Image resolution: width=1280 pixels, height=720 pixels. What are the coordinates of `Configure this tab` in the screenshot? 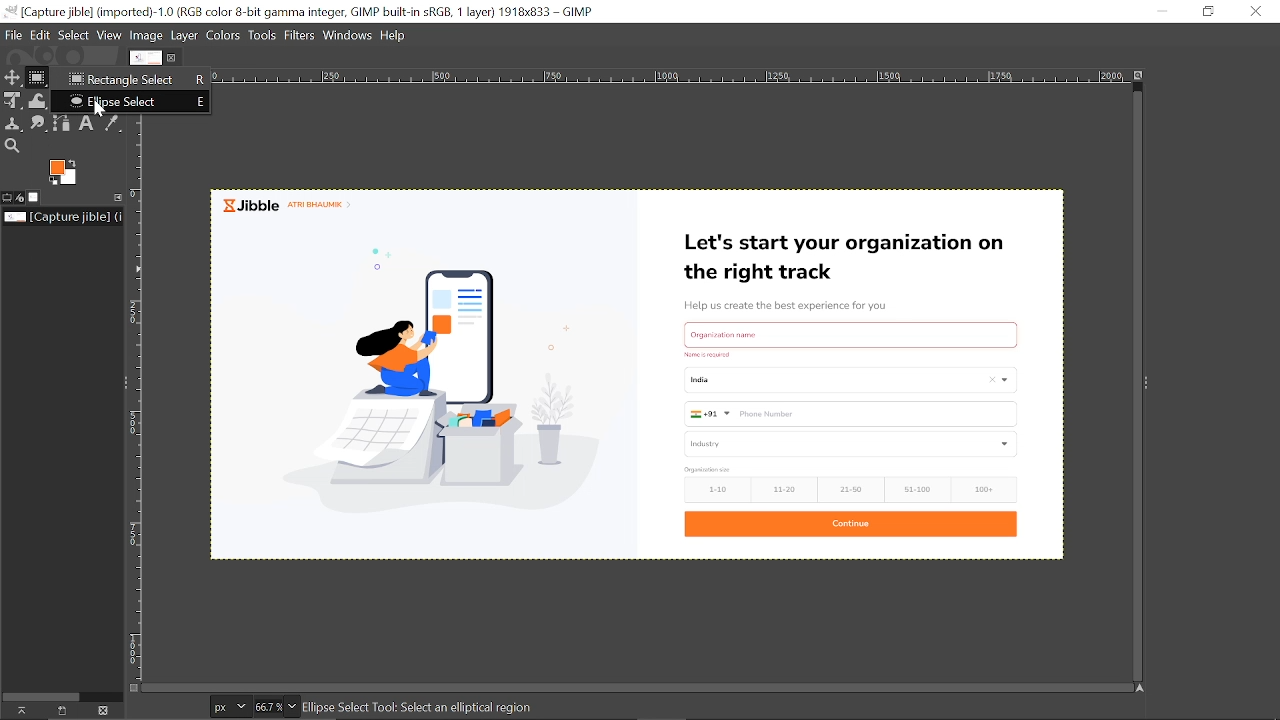 It's located at (119, 196).